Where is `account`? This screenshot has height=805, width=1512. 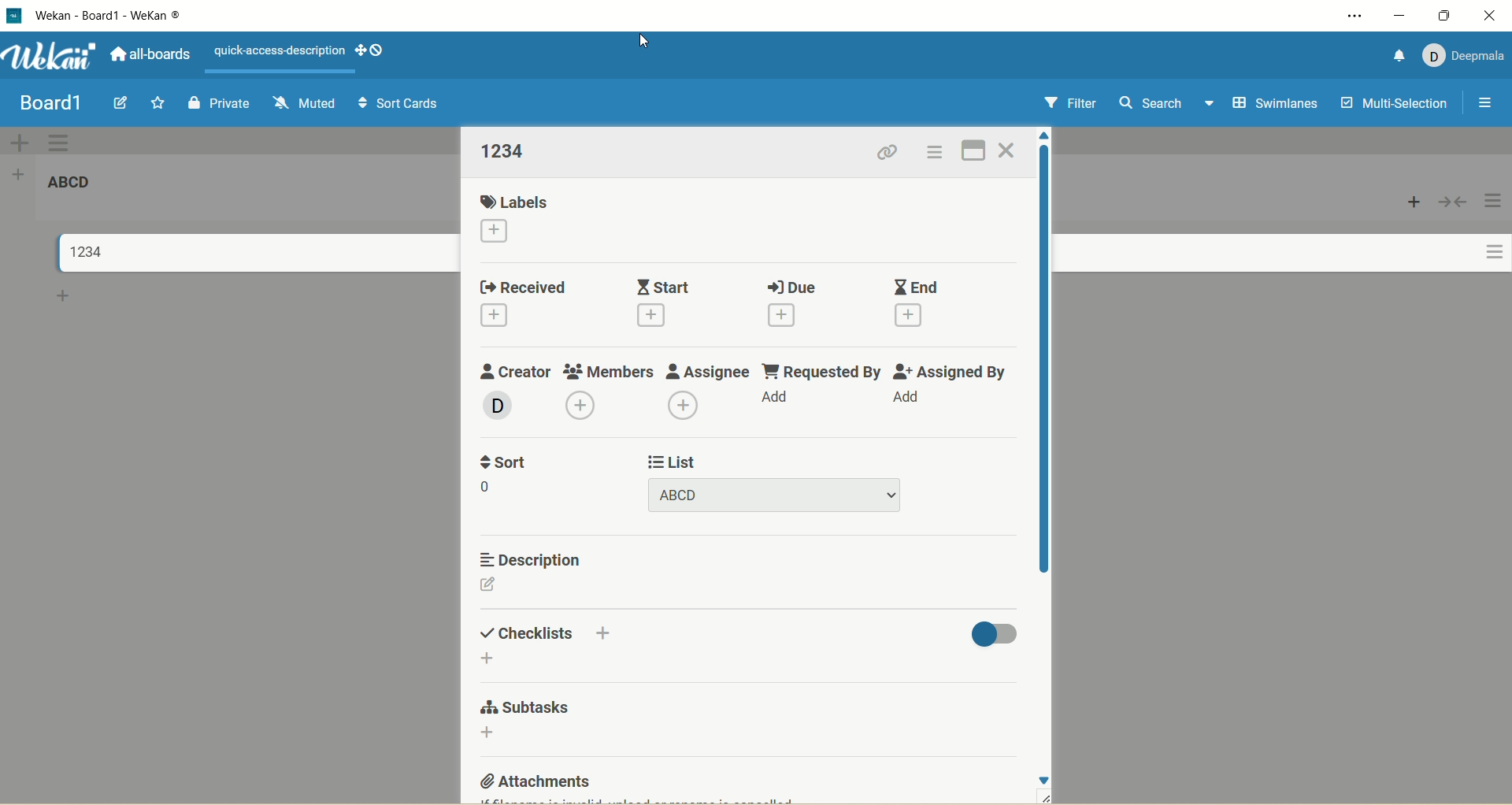 account is located at coordinates (1461, 55).